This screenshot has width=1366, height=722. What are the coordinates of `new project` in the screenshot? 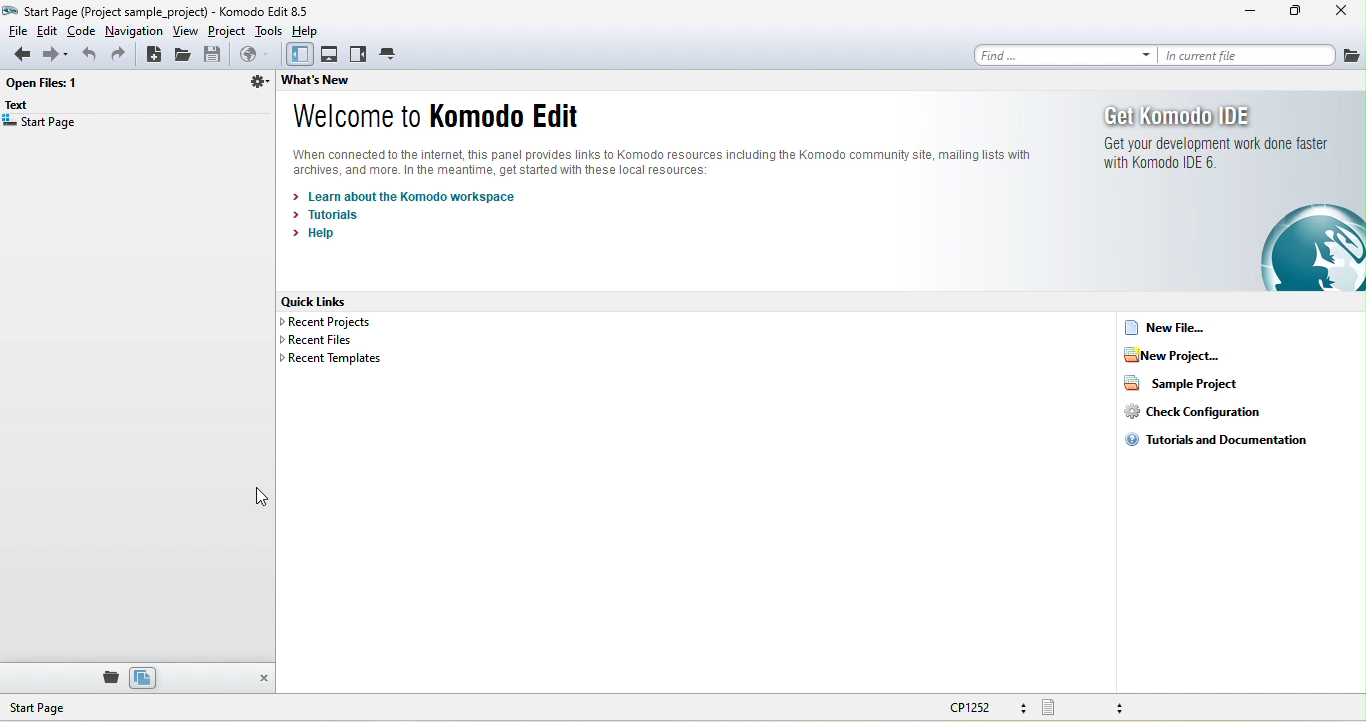 It's located at (1191, 355).